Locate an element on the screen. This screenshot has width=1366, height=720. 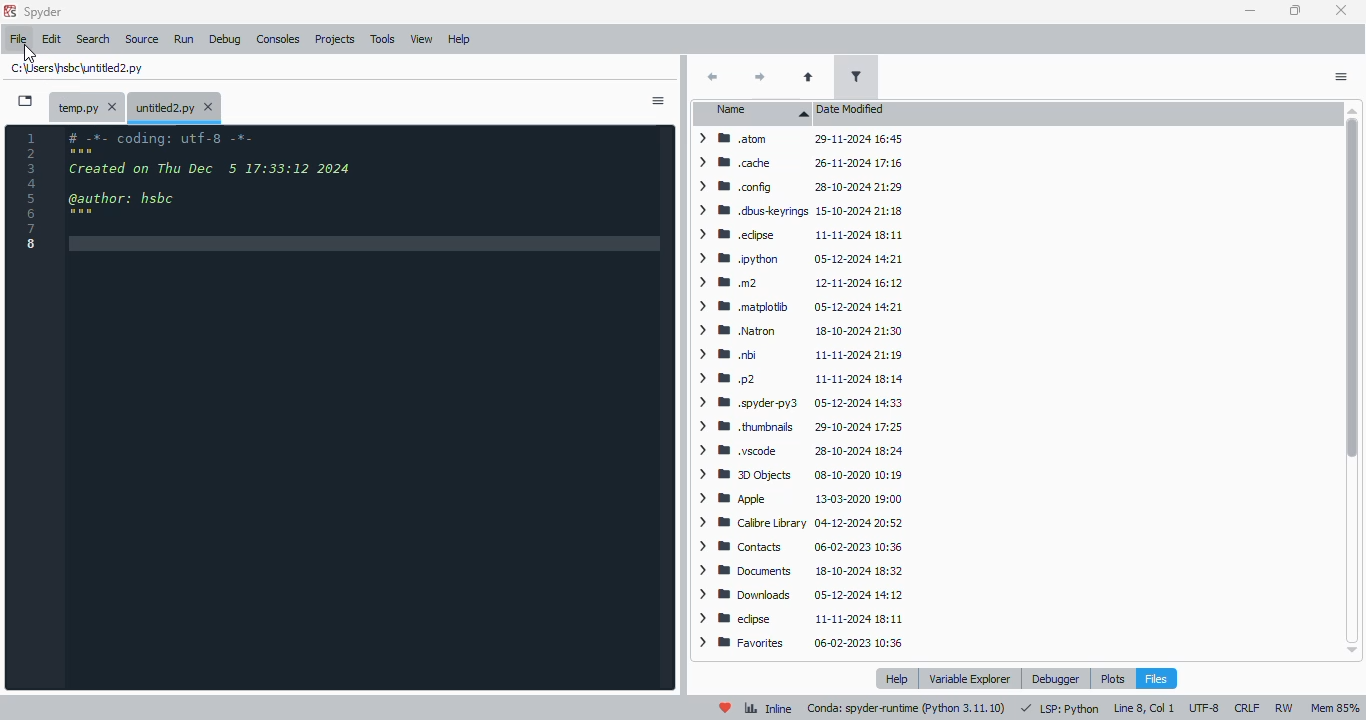
> BB atom 29-11-2024 16:45 is located at coordinates (801, 139).